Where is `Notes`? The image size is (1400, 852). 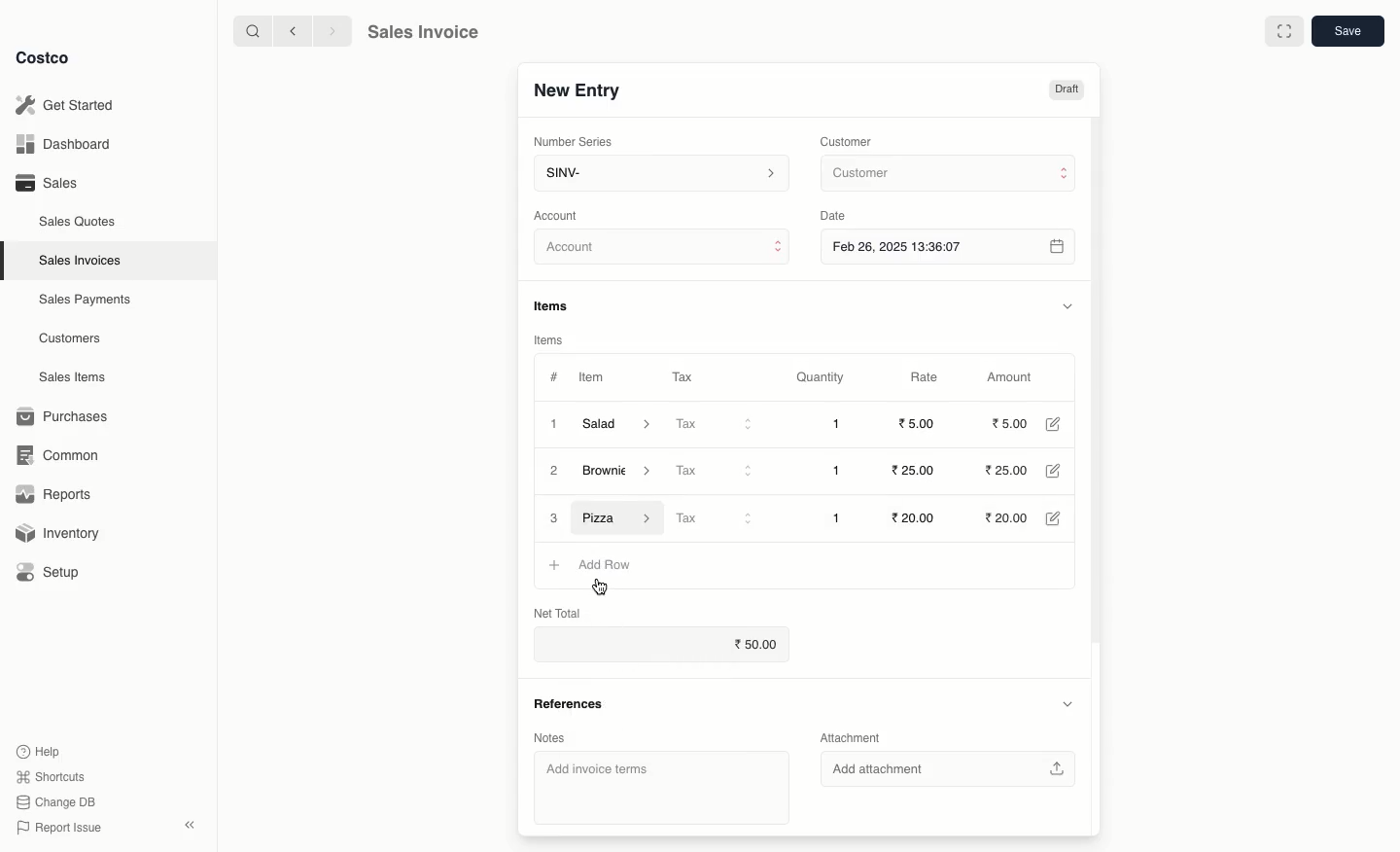
Notes is located at coordinates (548, 736).